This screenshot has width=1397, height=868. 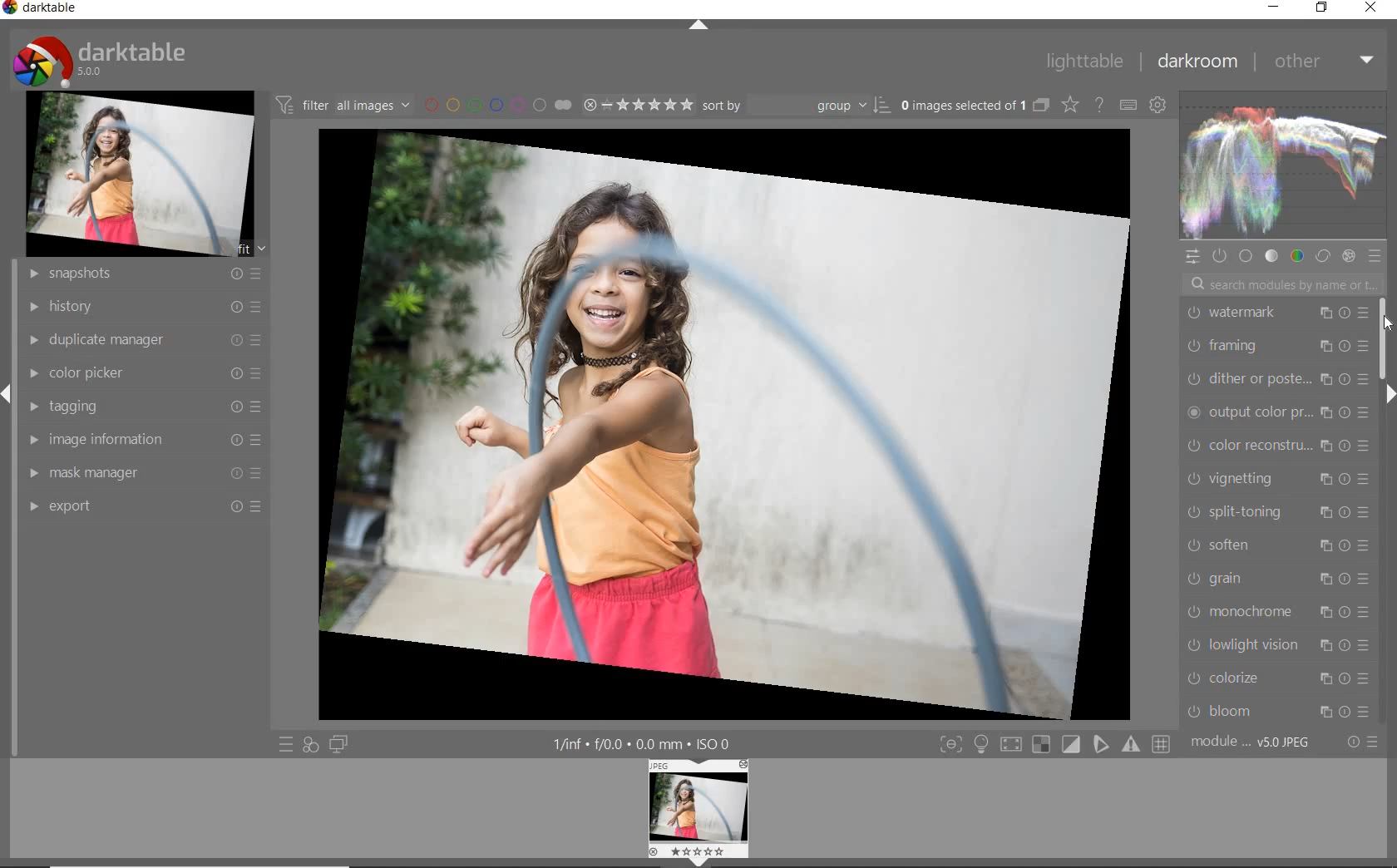 What do you see at coordinates (797, 104) in the screenshot?
I see `sort` at bounding box center [797, 104].